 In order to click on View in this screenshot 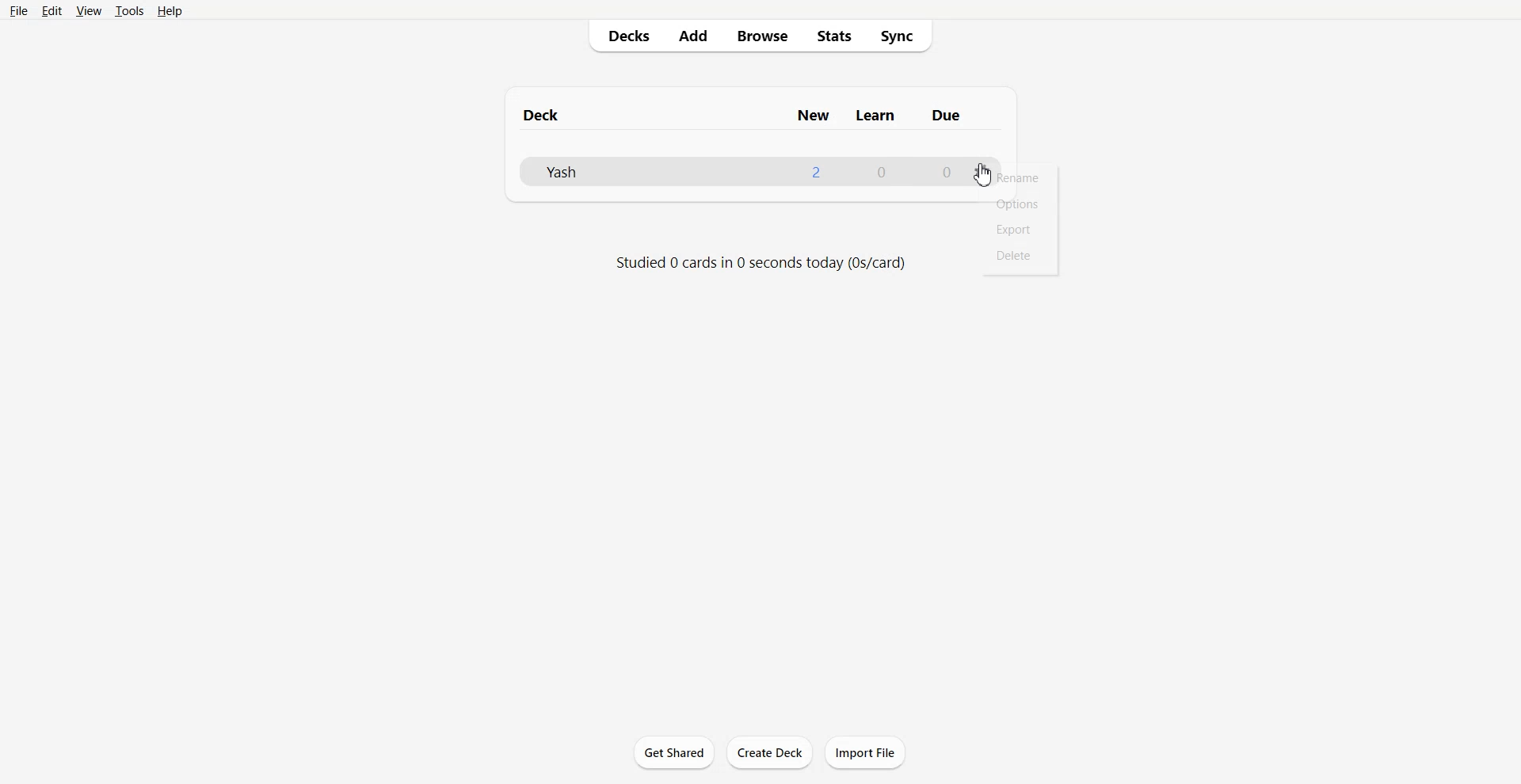, I will do `click(89, 12)`.